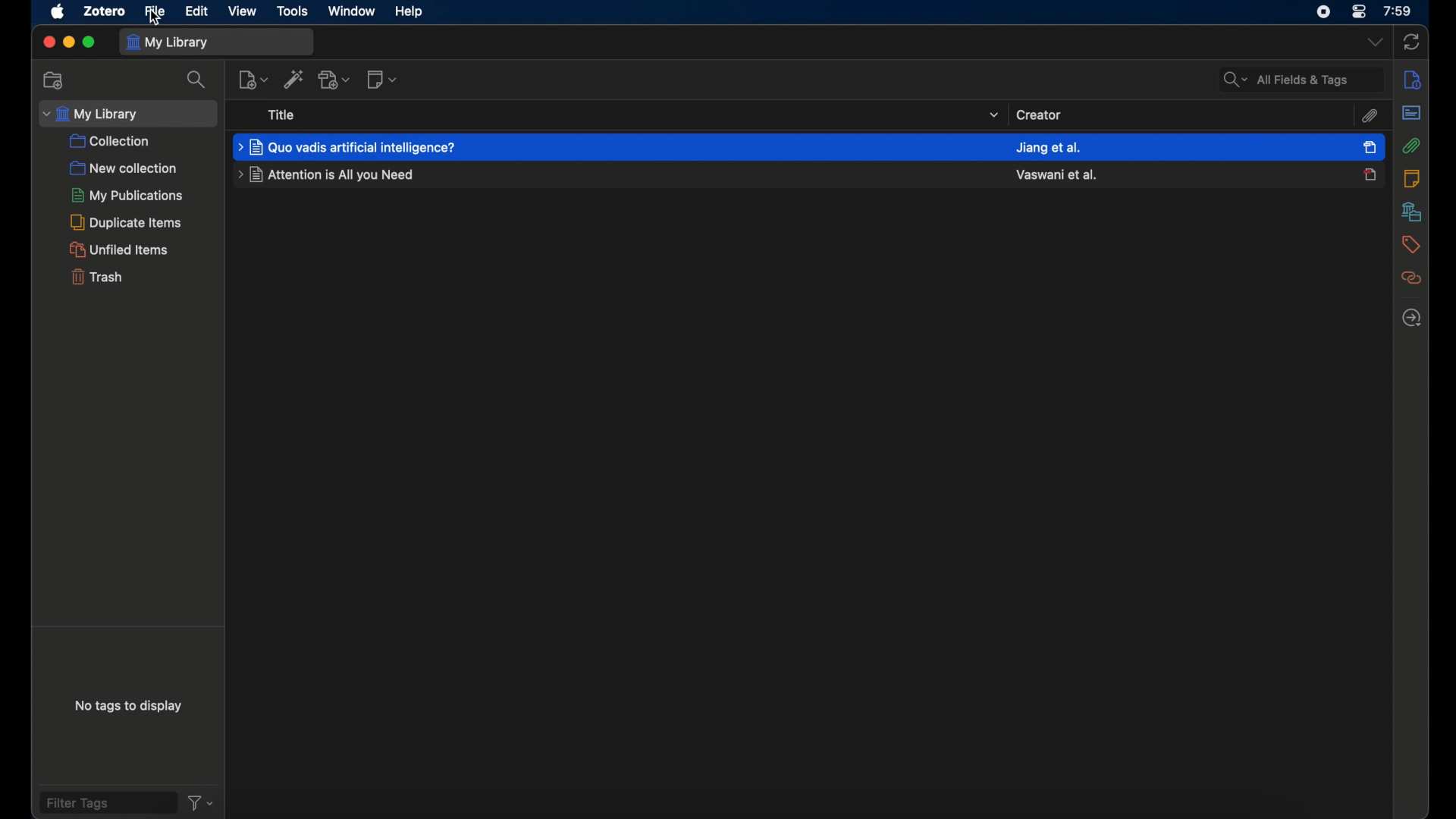  What do you see at coordinates (123, 168) in the screenshot?
I see `new collection` at bounding box center [123, 168].